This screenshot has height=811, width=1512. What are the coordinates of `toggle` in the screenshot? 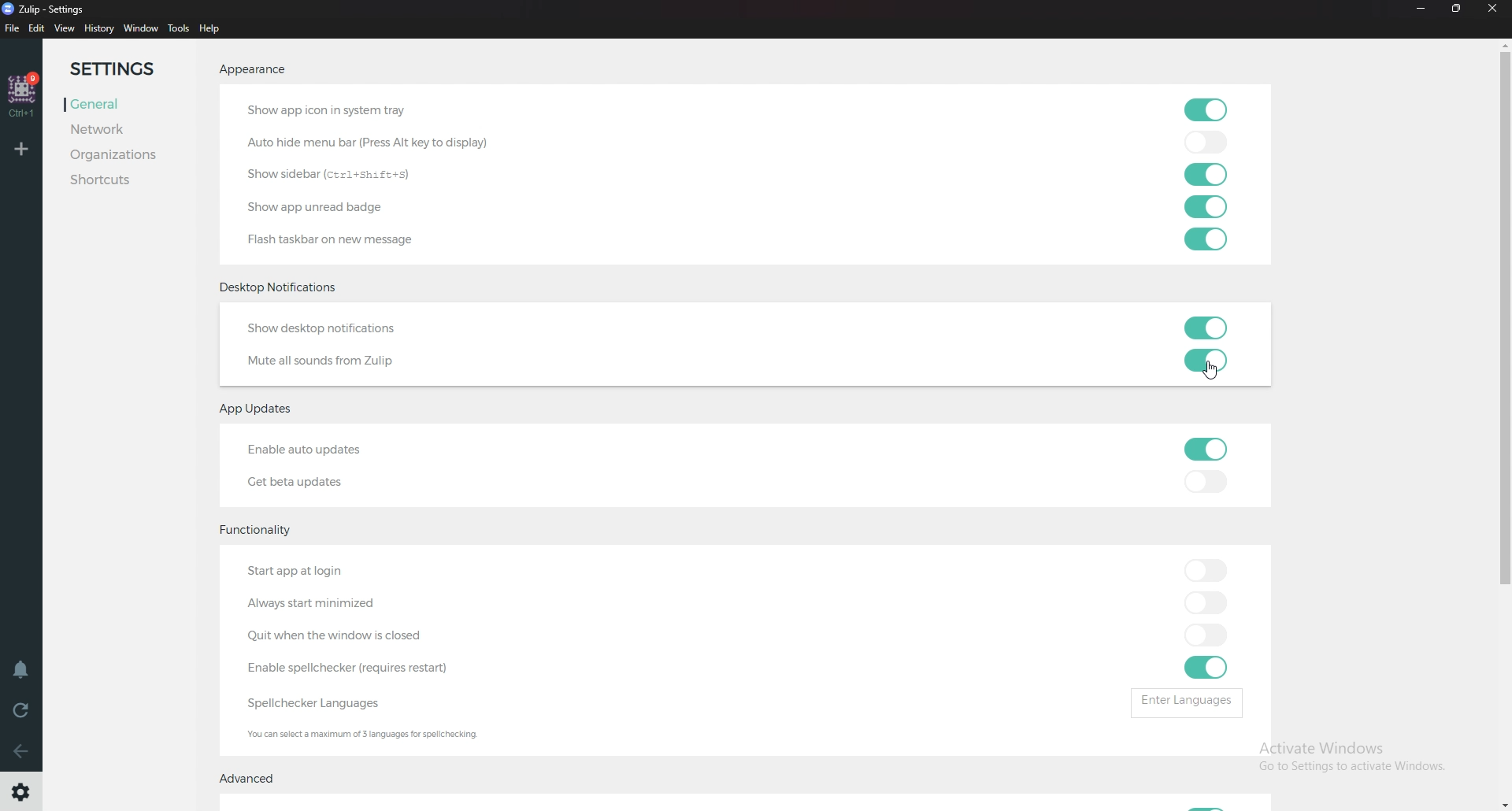 It's located at (1206, 637).